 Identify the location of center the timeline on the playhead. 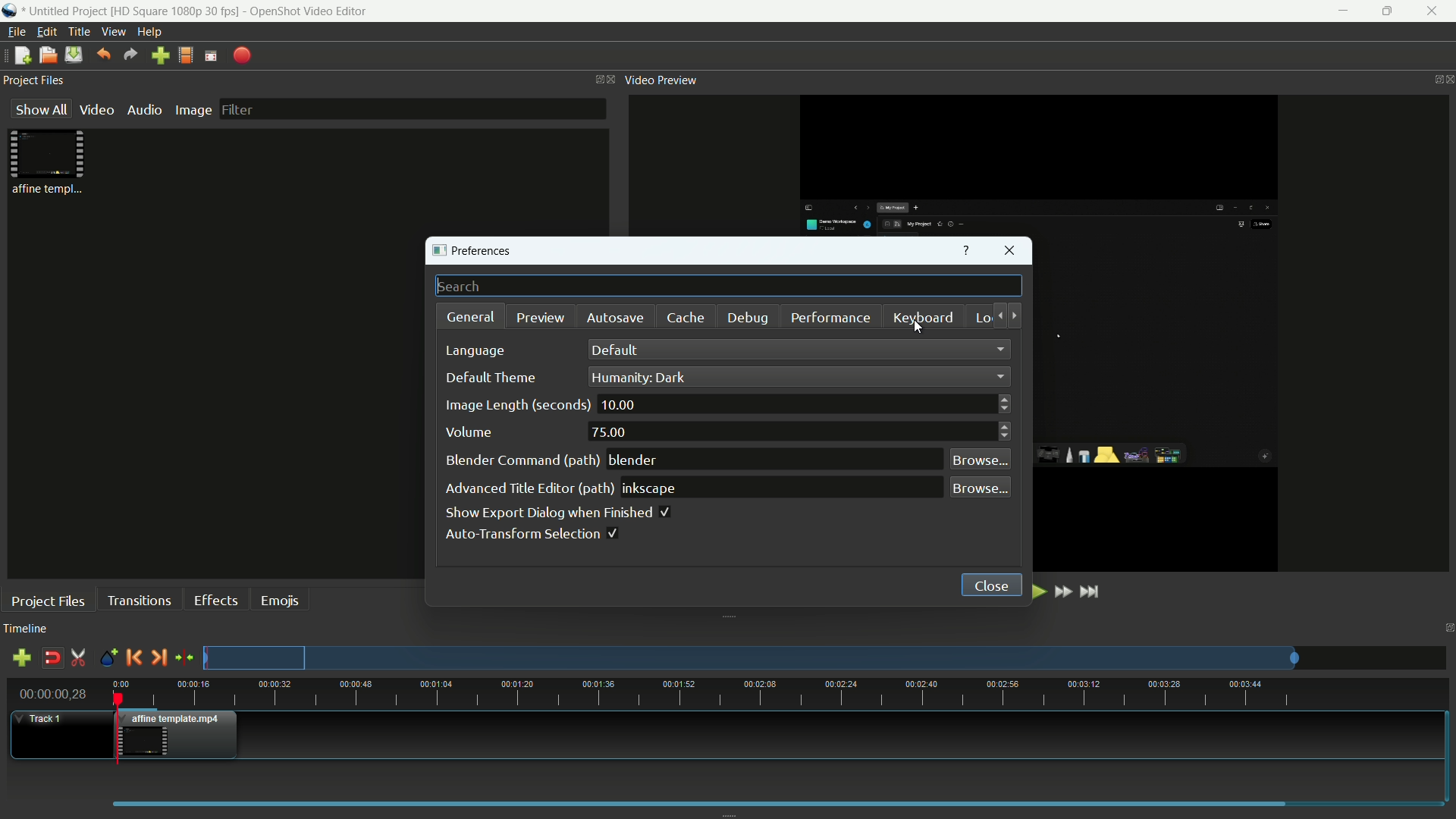
(184, 657).